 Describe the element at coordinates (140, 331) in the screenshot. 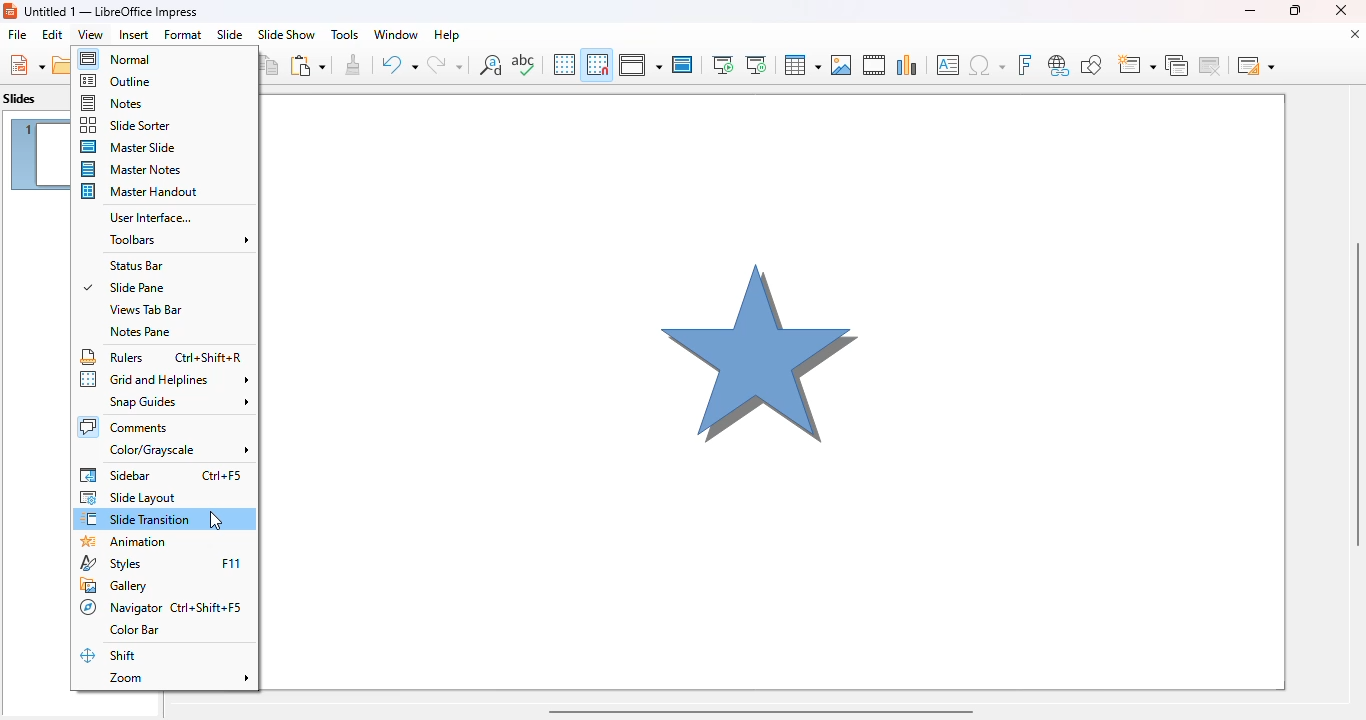

I see `notes pane` at that location.